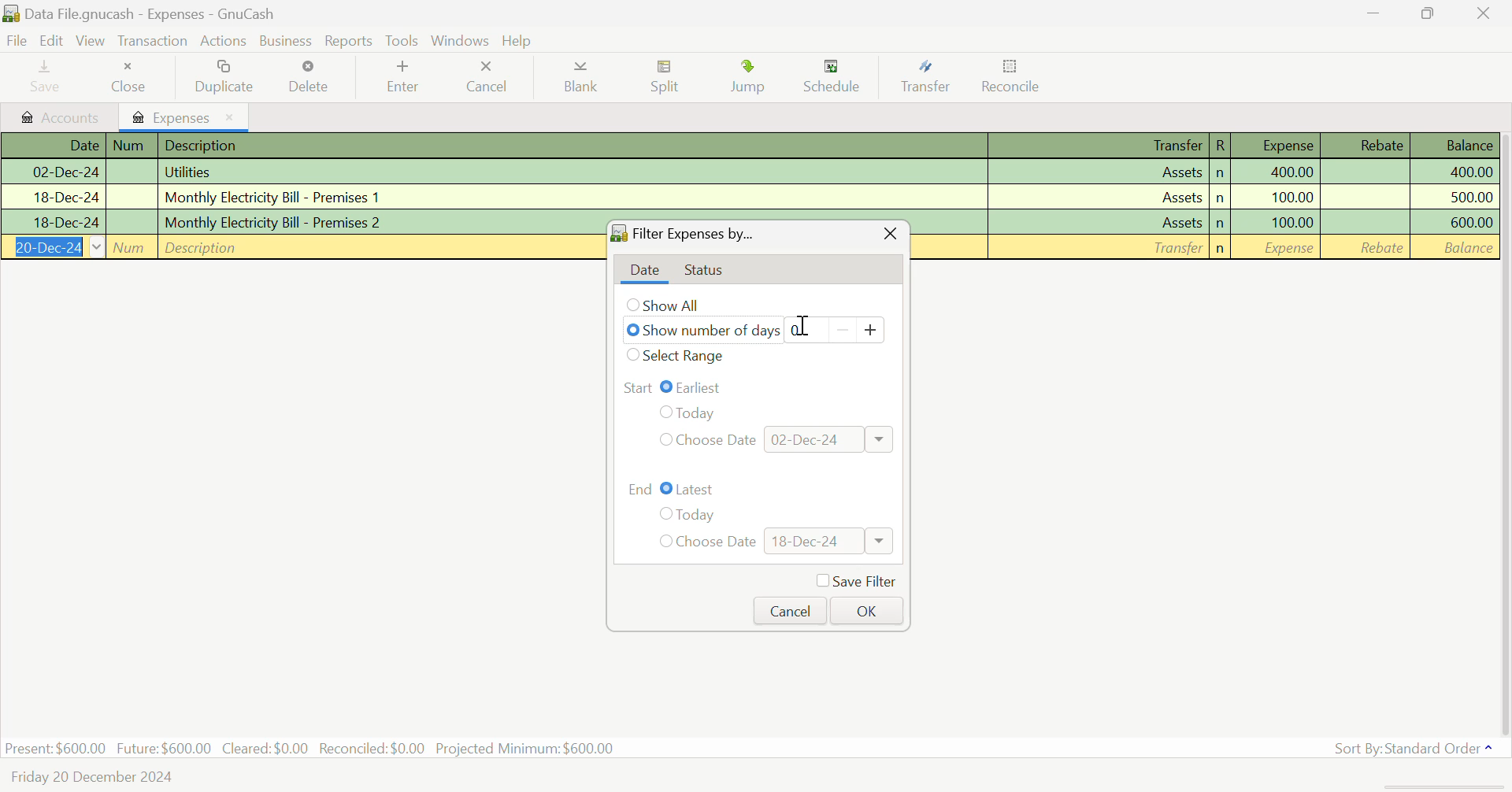 Image resolution: width=1512 pixels, height=792 pixels. What do you see at coordinates (52, 41) in the screenshot?
I see `Edit` at bounding box center [52, 41].